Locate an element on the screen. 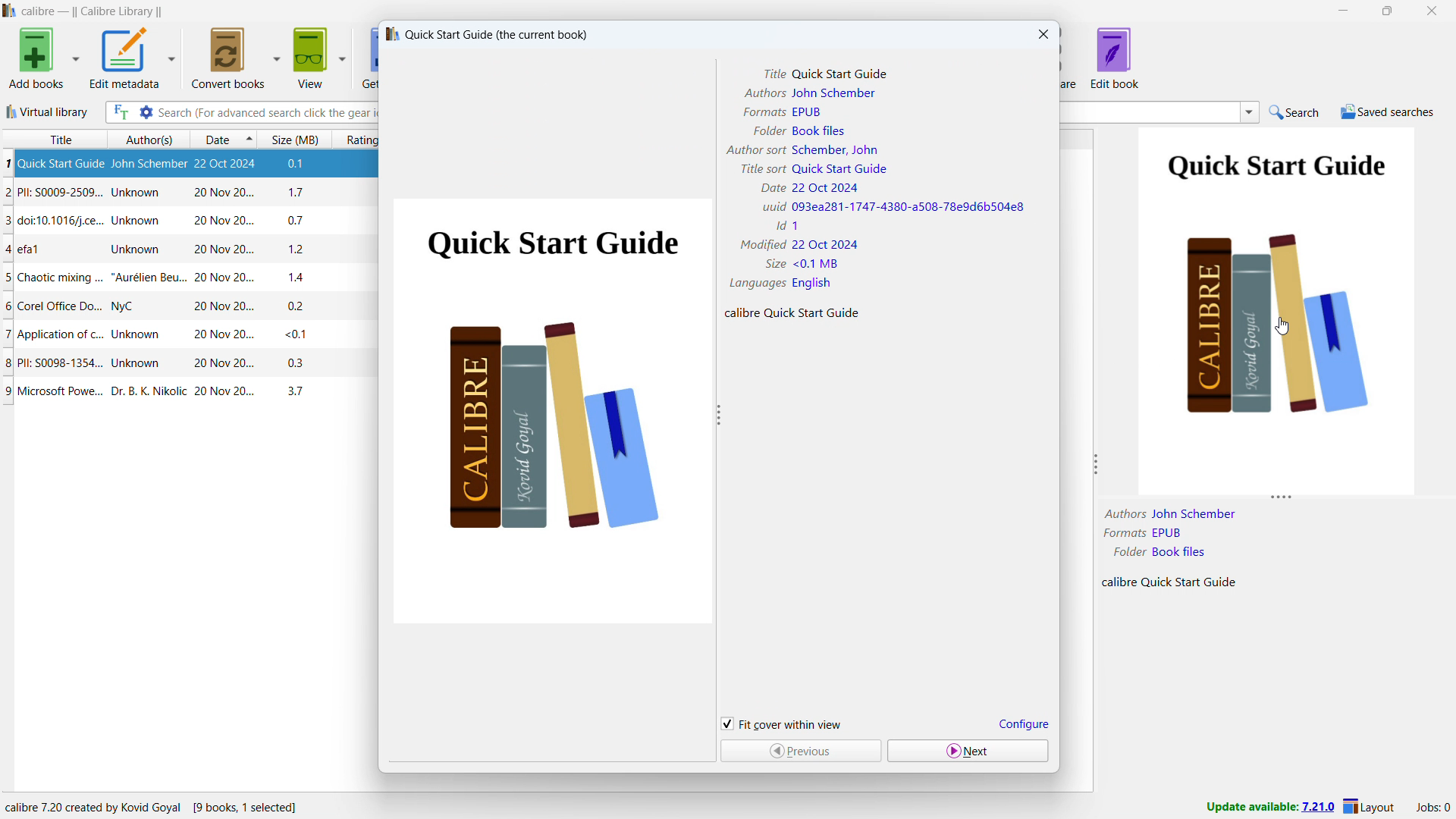 Image resolution: width=1456 pixels, height=819 pixels. 093ea281-1747-4380-a508-78e9d6b504e8 is located at coordinates (909, 208).